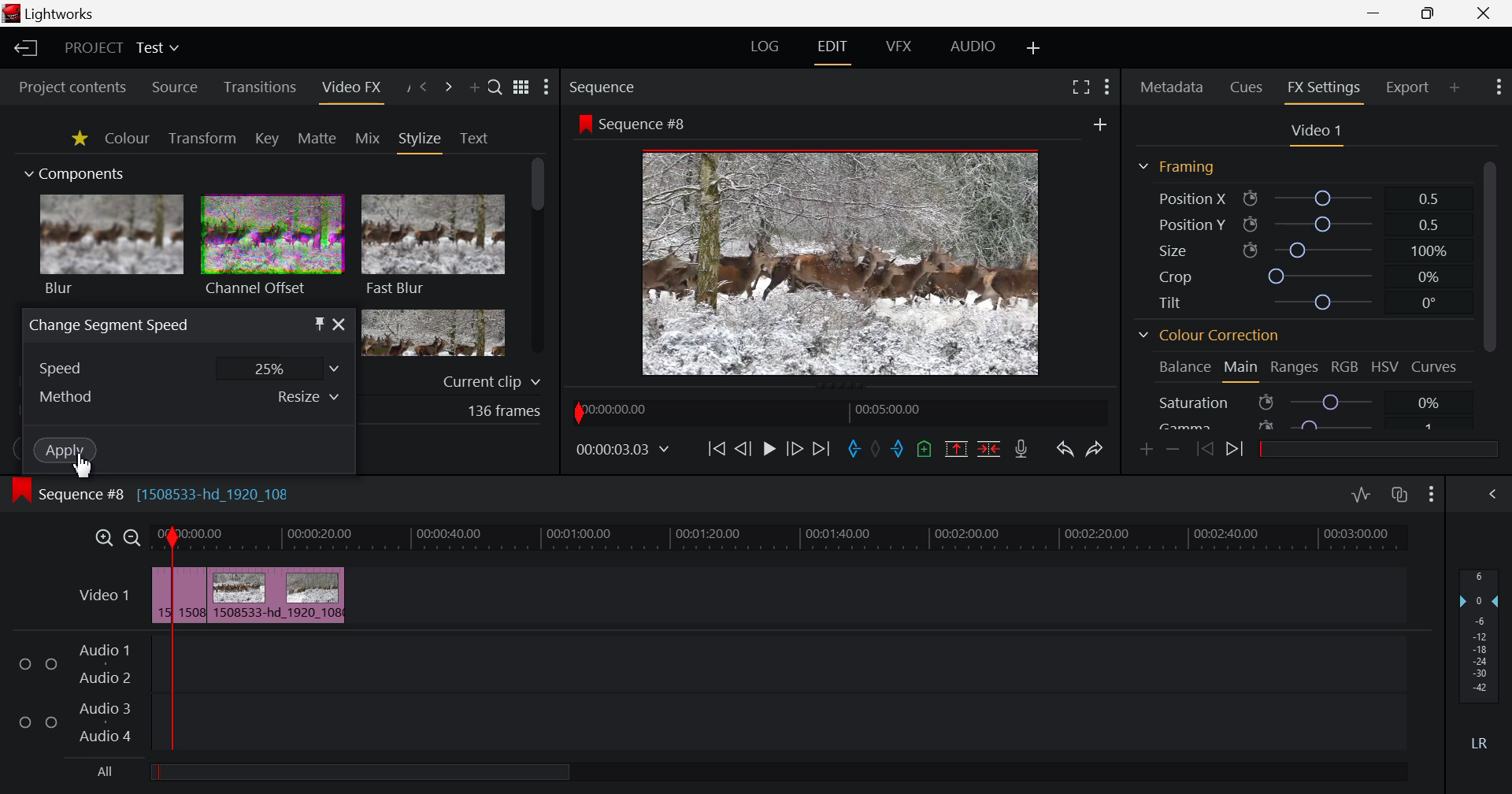  What do you see at coordinates (189, 368) in the screenshot?
I see `Cursor on Speed` at bounding box center [189, 368].